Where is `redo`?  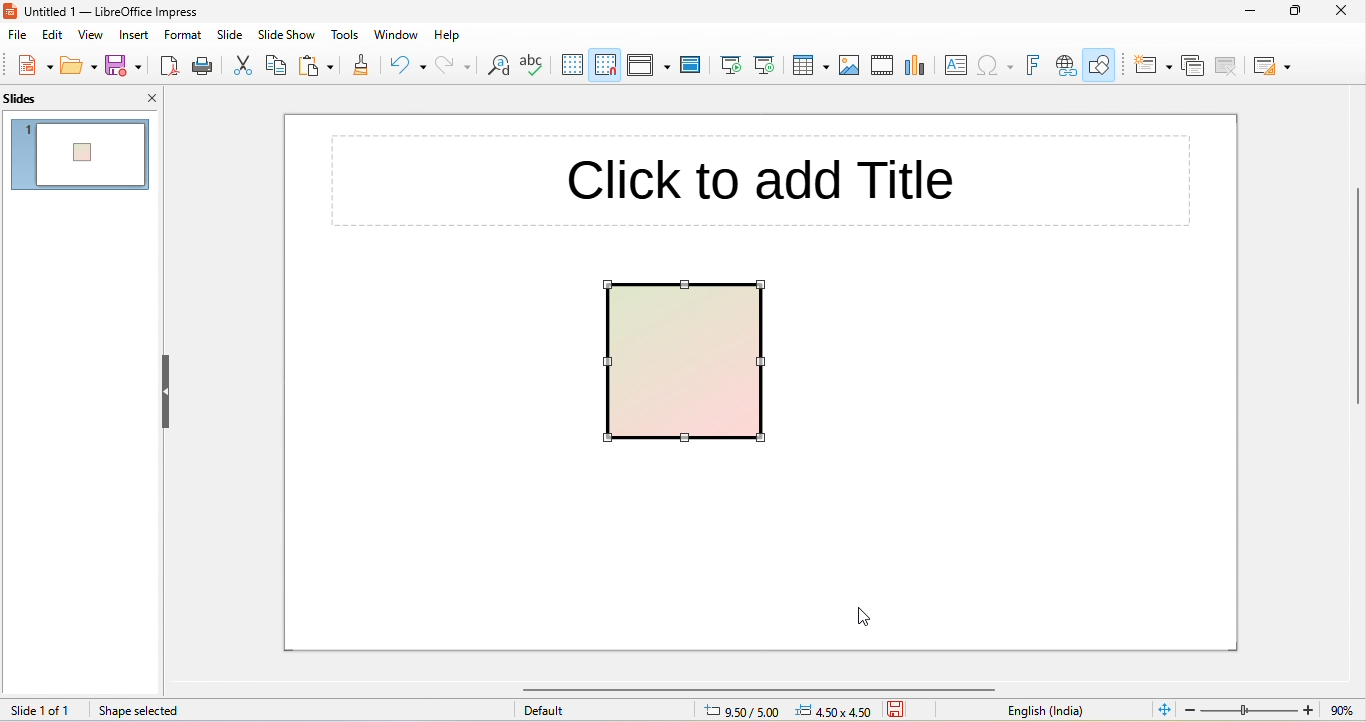
redo is located at coordinates (453, 63).